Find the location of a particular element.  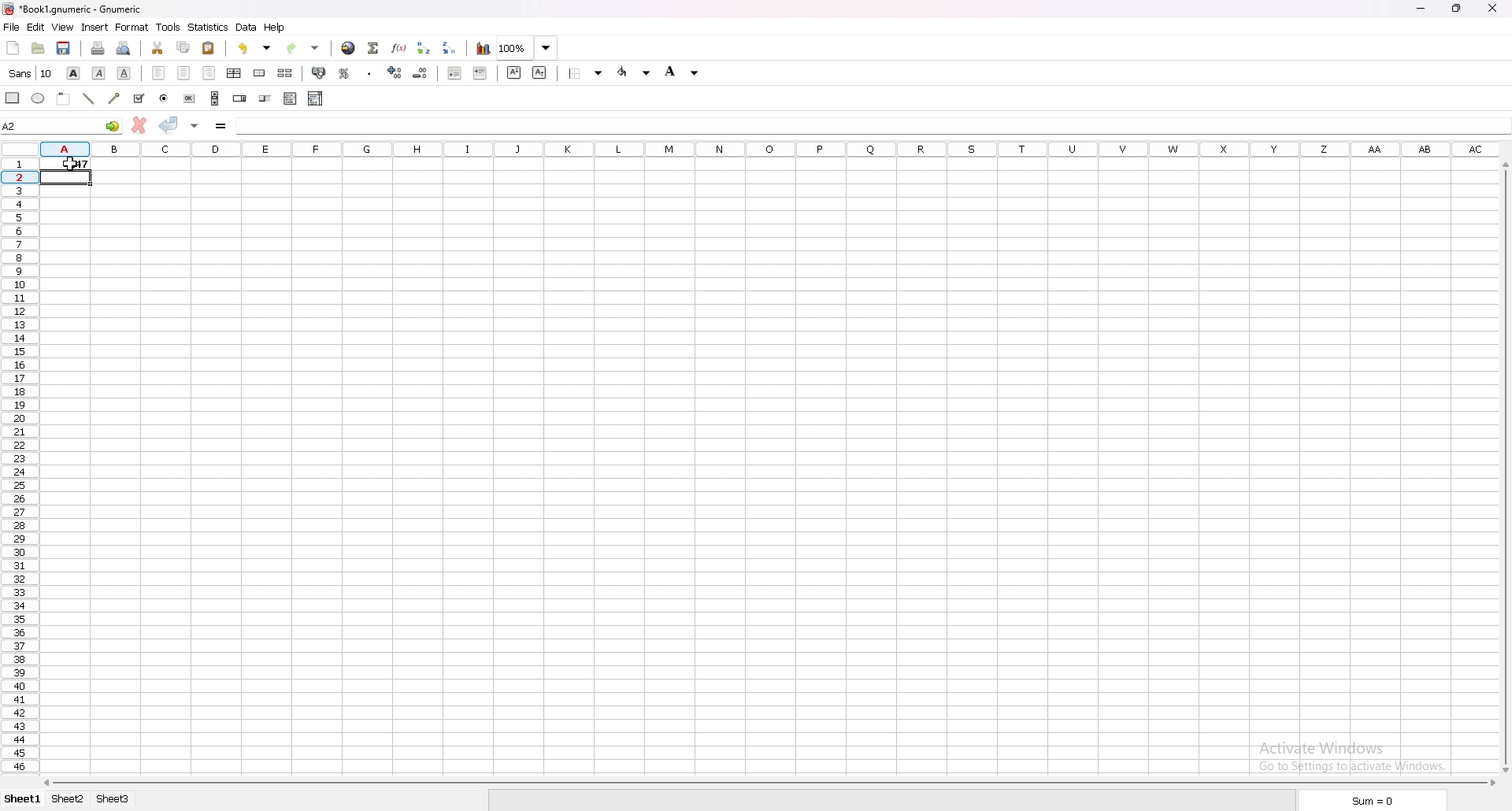

rectangle is located at coordinates (13, 98).